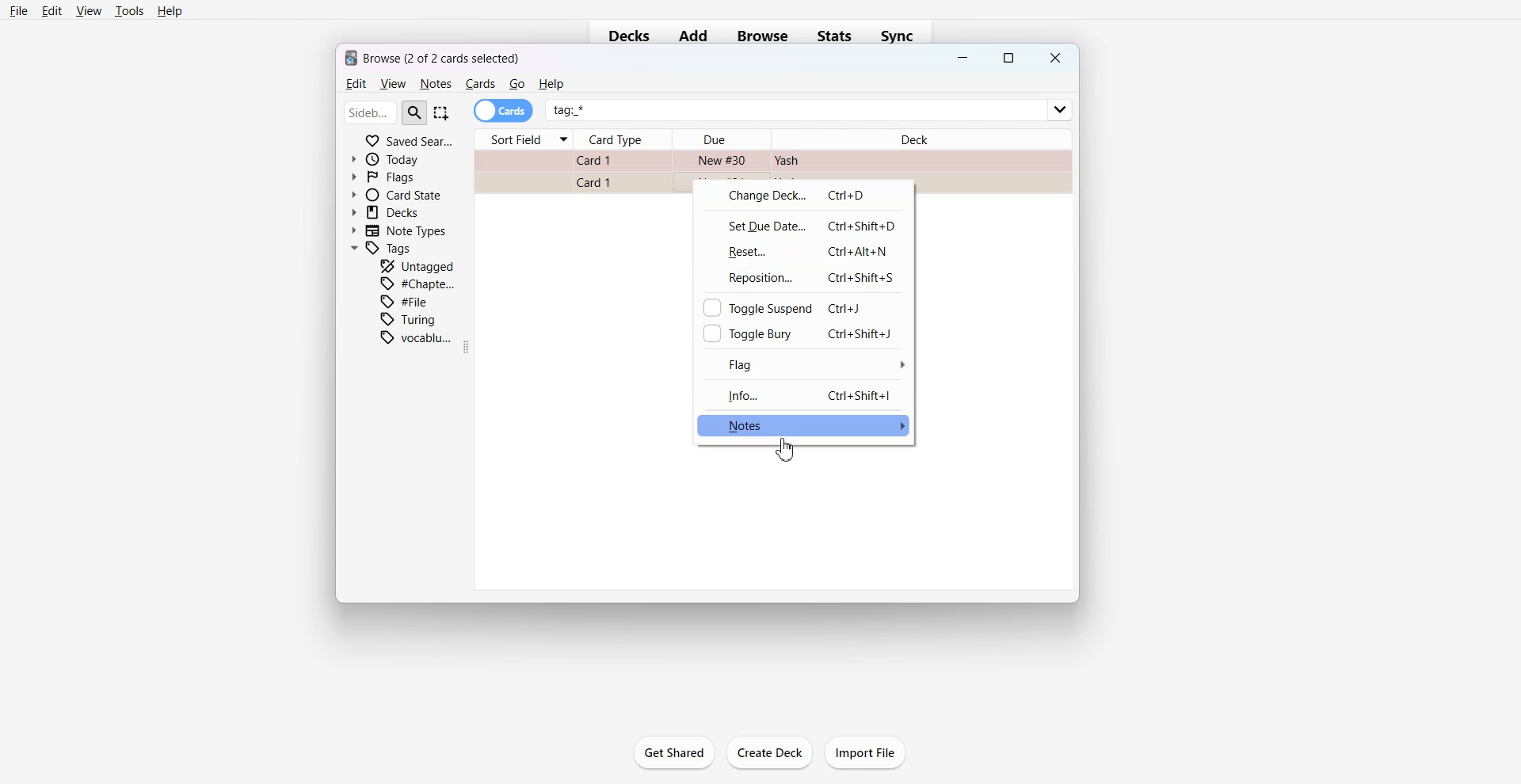  I want to click on Minimize, so click(963, 59).